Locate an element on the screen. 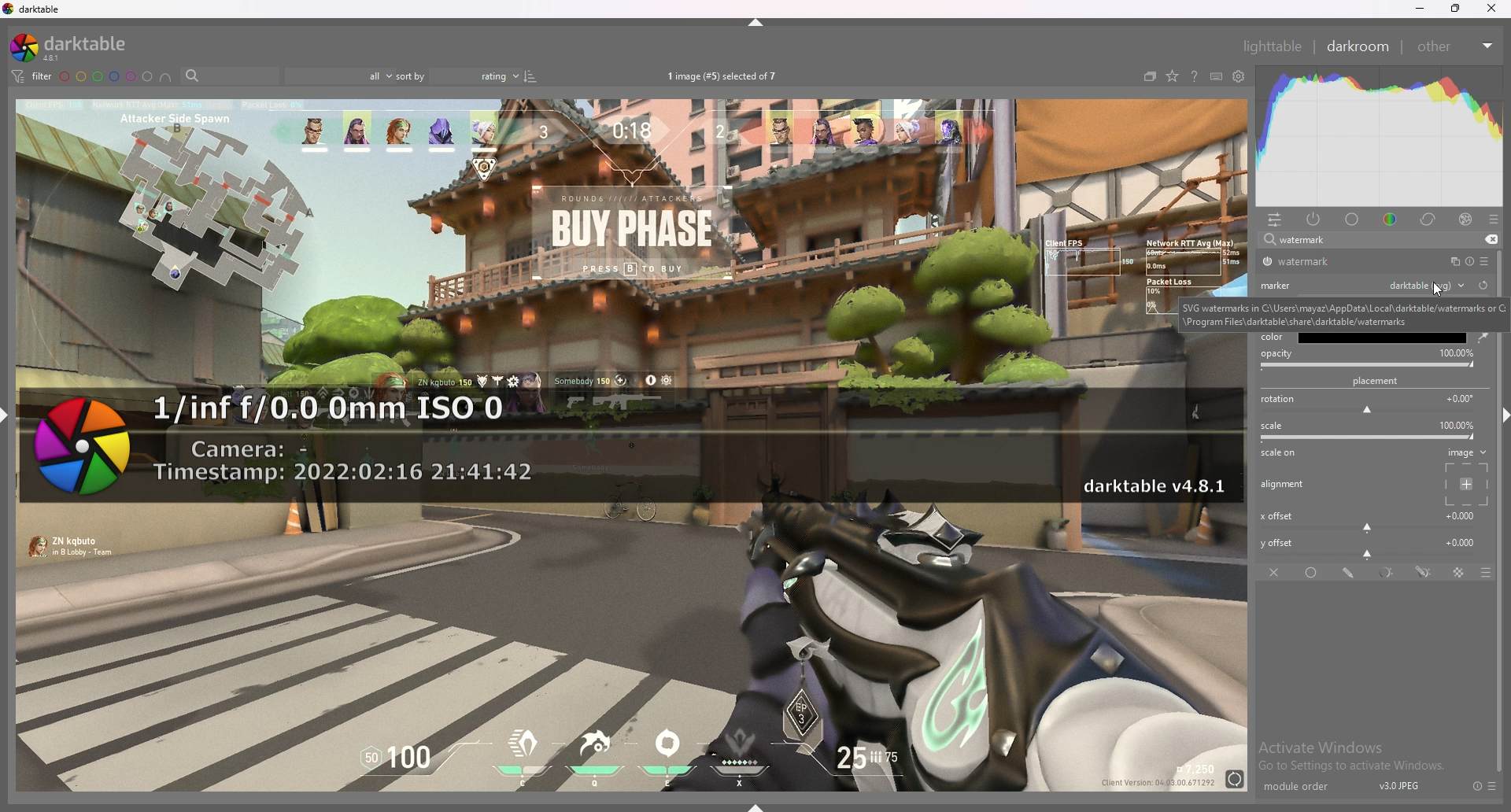 The height and width of the screenshot is (812, 1511). tooltip is located at coordinates (1344, 313).